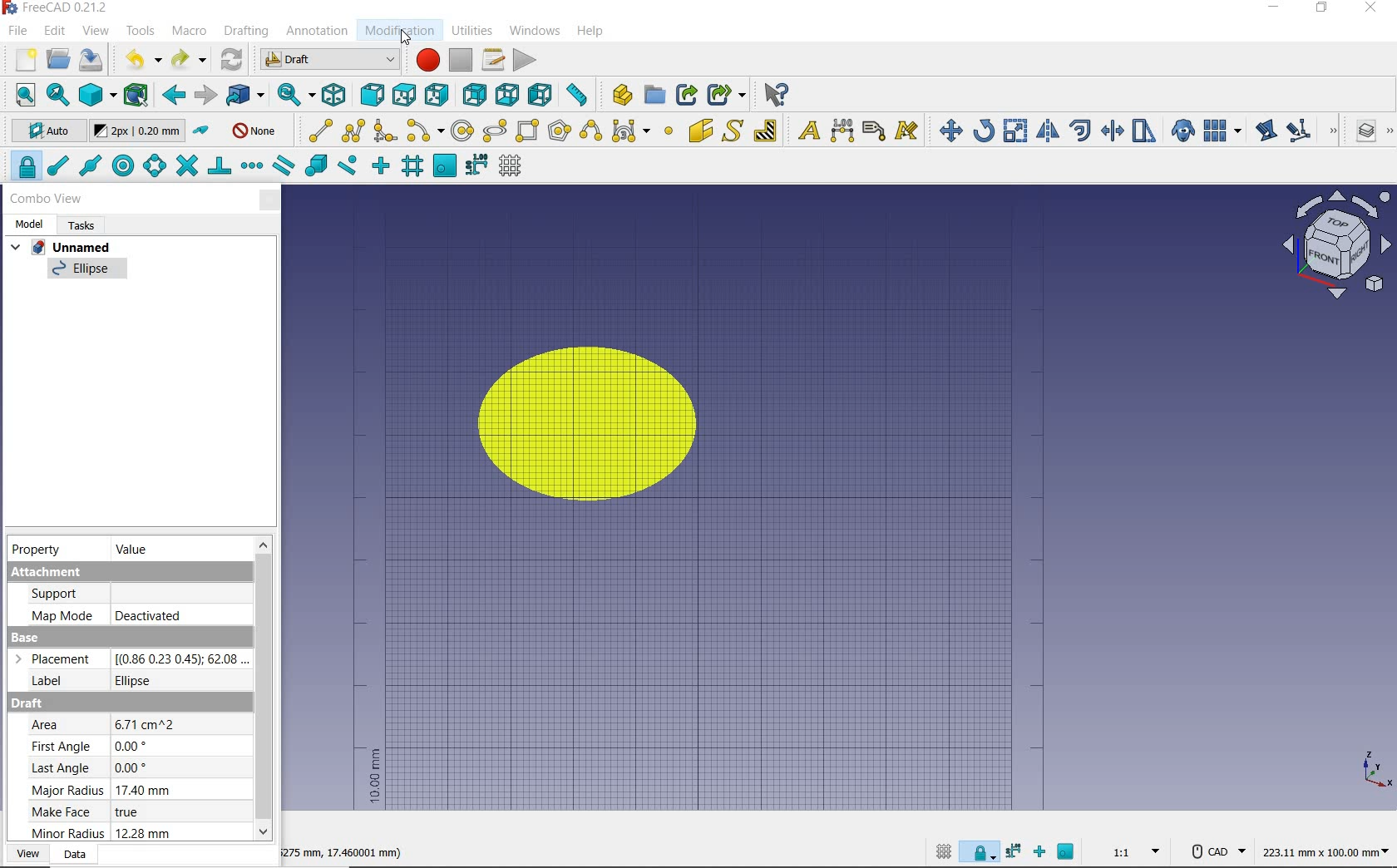 This screenshot has width=1397, height=868. What do you see at coordinates (632, 133) in the screenshot?
I see `bezier tools` at bounding box center [632, 133].